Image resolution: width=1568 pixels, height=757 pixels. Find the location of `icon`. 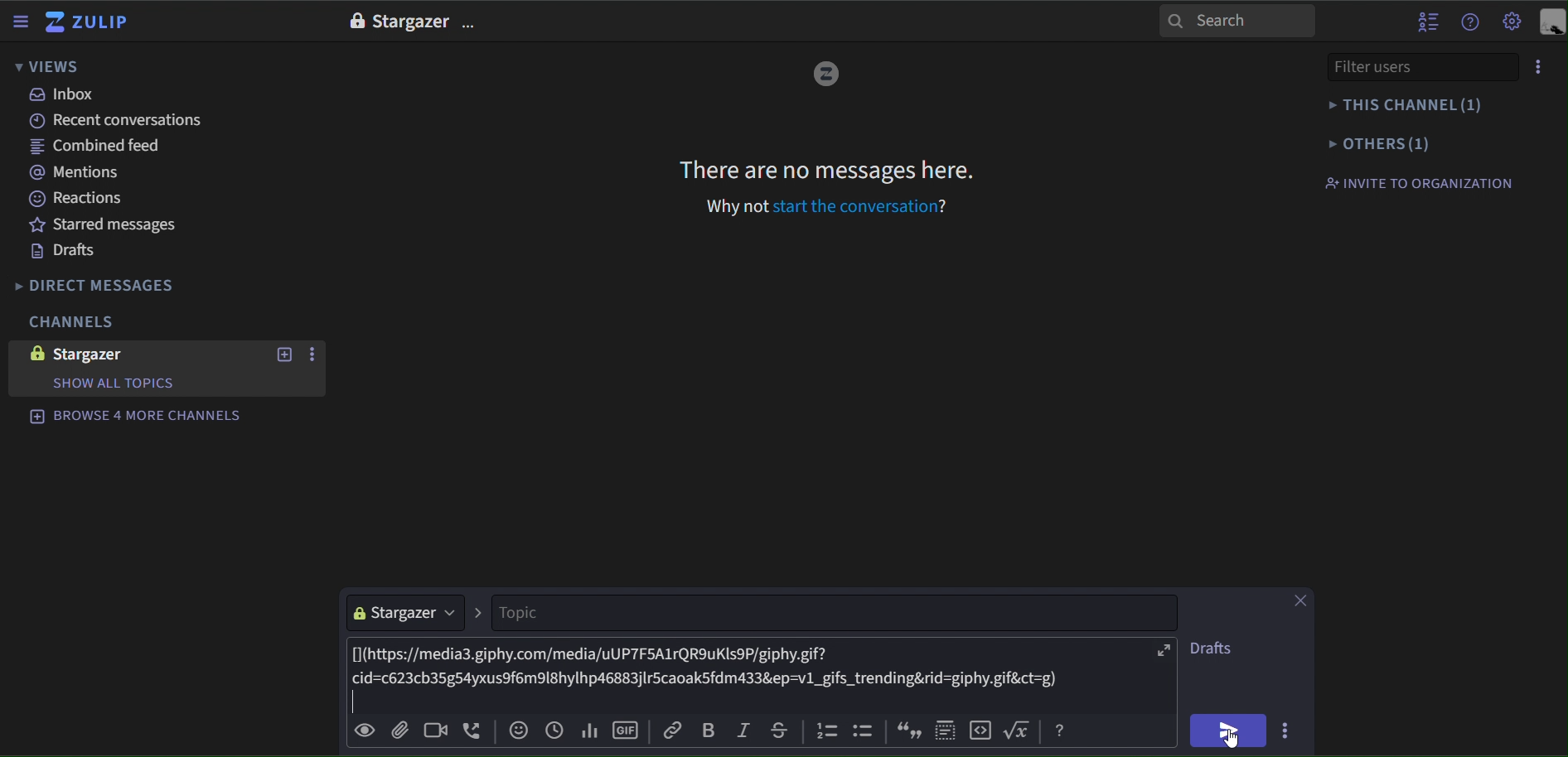

icon is located at coordinates (1021, 730).